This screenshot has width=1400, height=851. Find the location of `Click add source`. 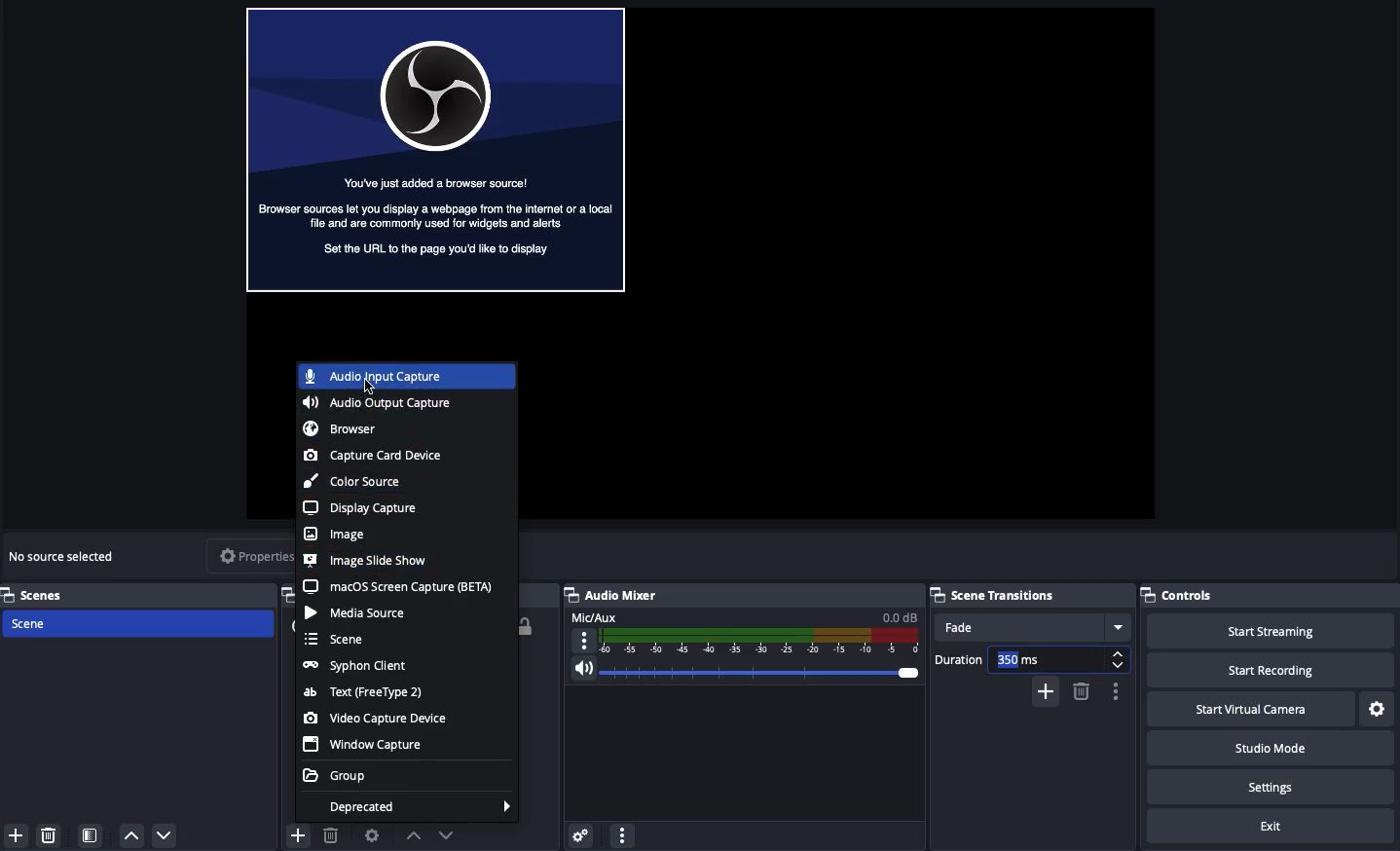

Click add source is located at coordinates (301, 834).